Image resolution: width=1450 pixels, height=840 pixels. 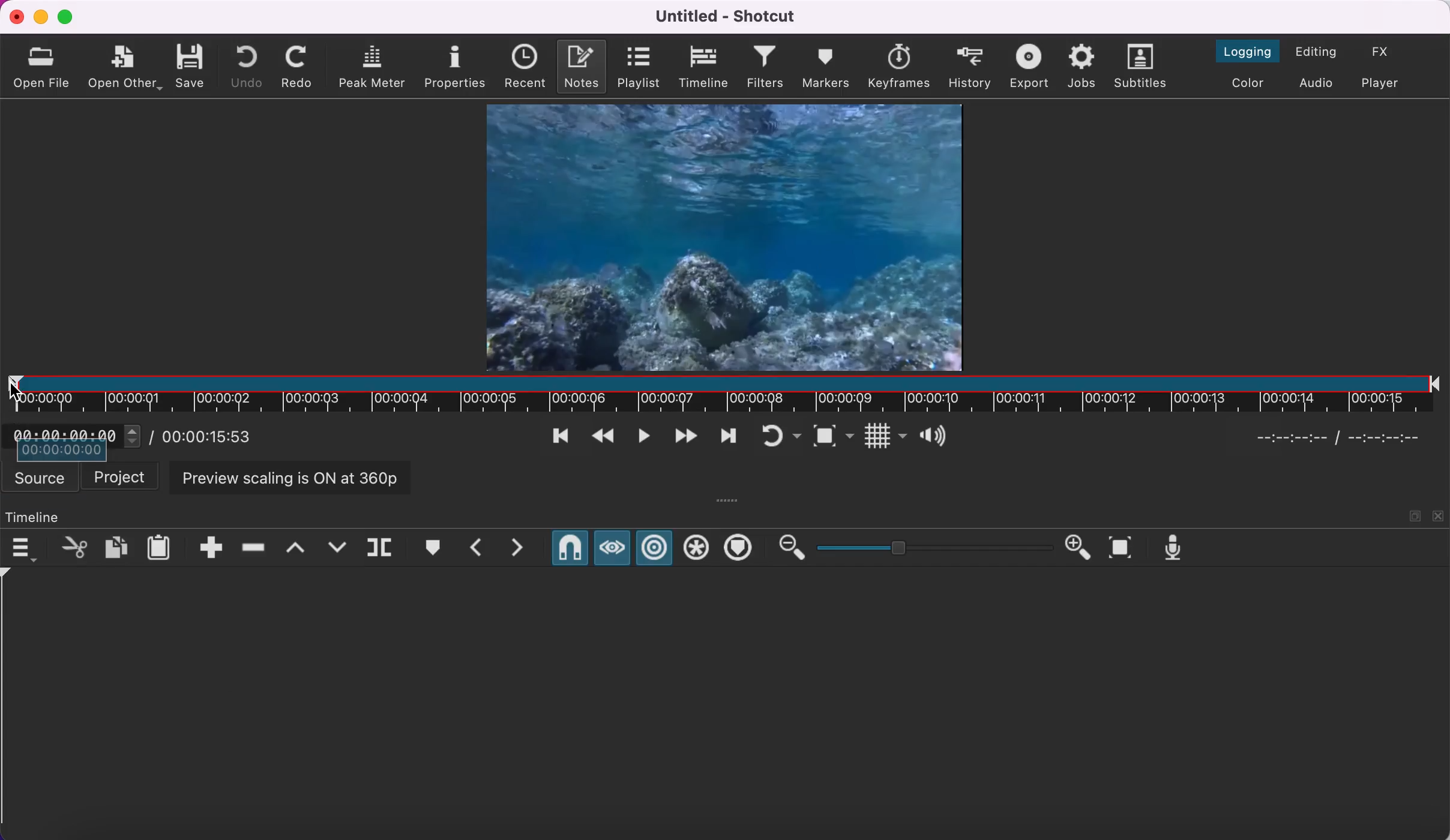 I want to click on open other, so click(x=126, y=68).